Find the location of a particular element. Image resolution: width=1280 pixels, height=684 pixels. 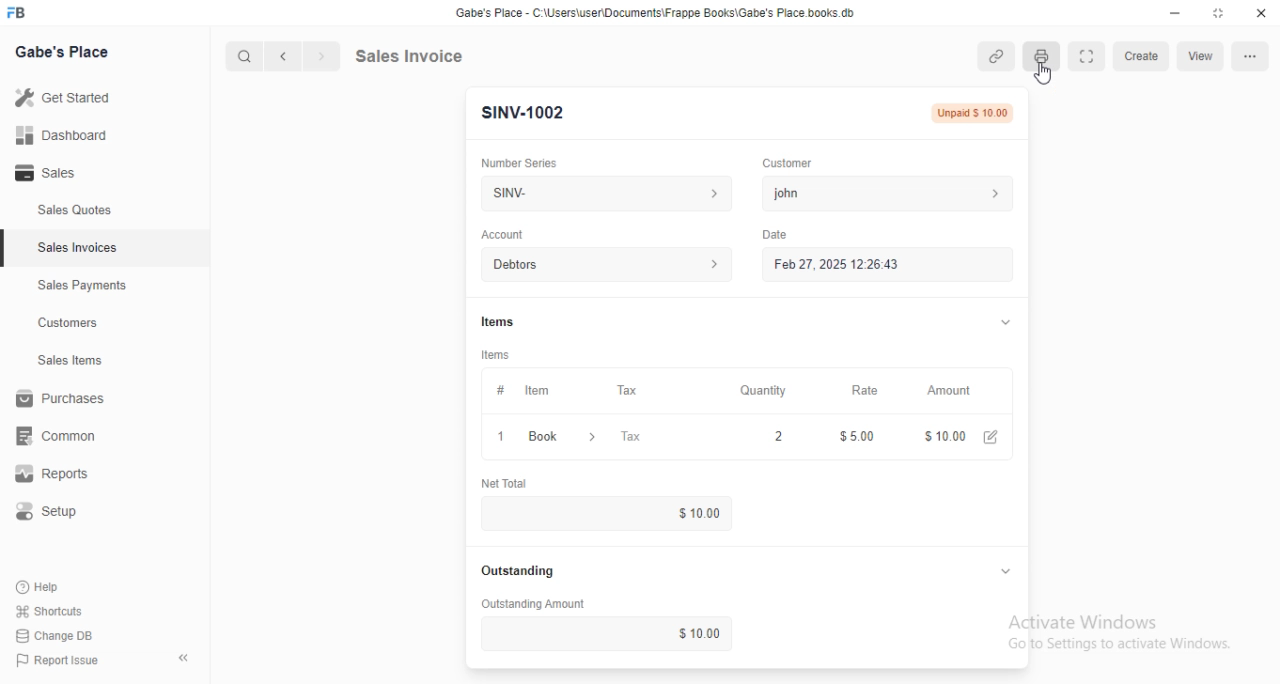

2 is located at coordinates (779, 436).